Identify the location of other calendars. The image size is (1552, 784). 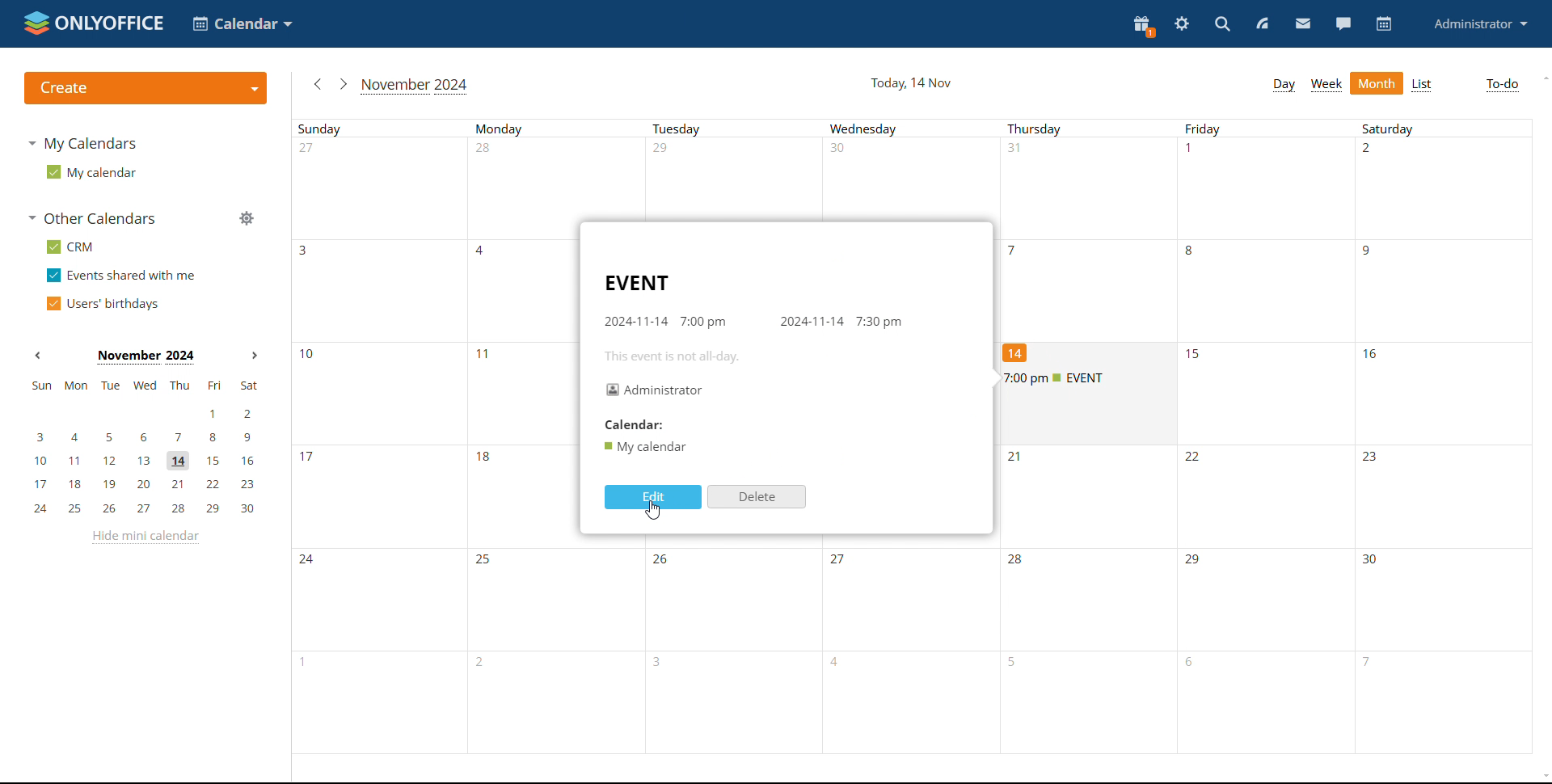
(92, 218).